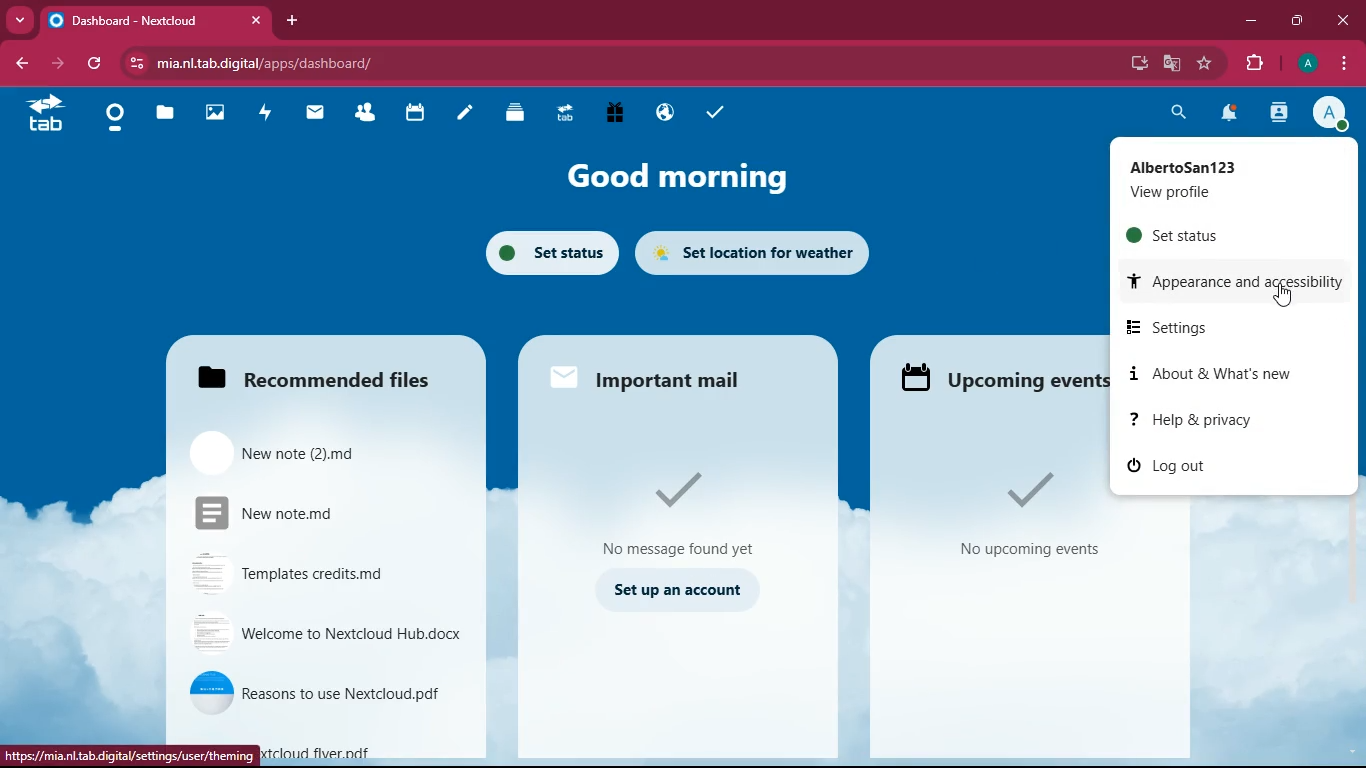 The height and width of the screenshot is (768, 1366). I want to click on help & privacy, so click(1229, 419).